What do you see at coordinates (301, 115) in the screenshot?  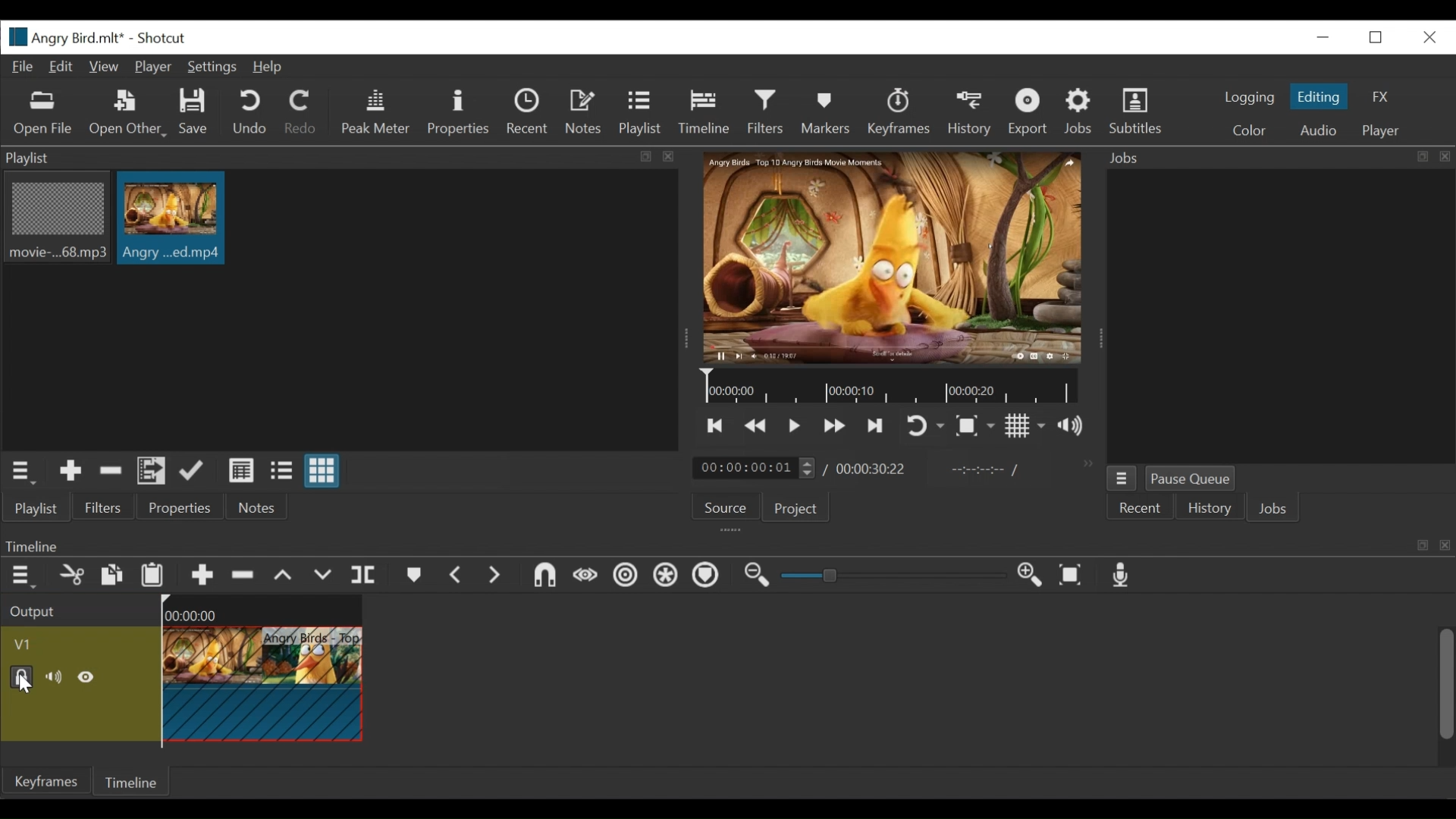 I see `Redo` at bounding box center [301, 115].